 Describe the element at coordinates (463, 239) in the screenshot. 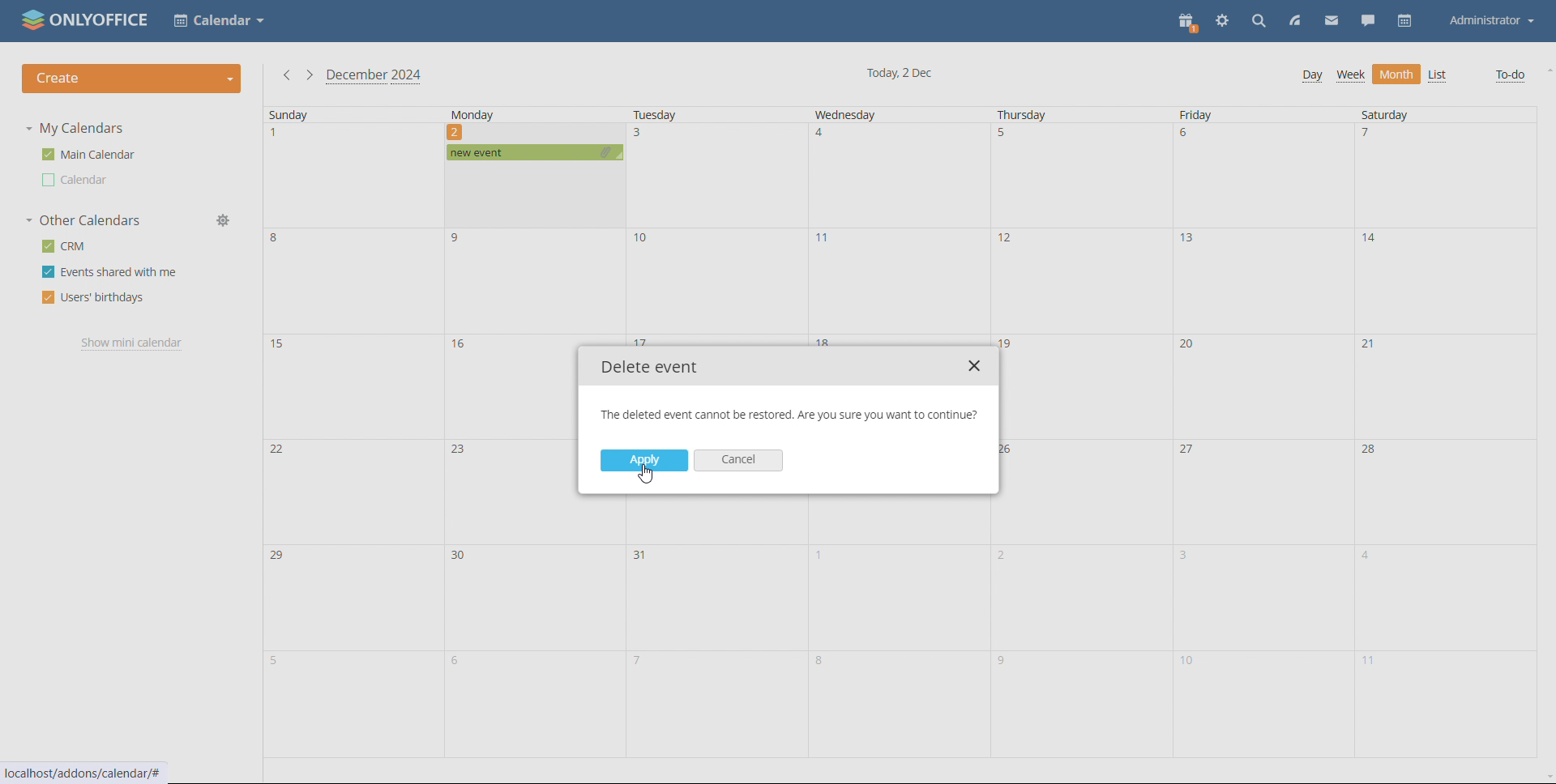

I see `9` at that location.